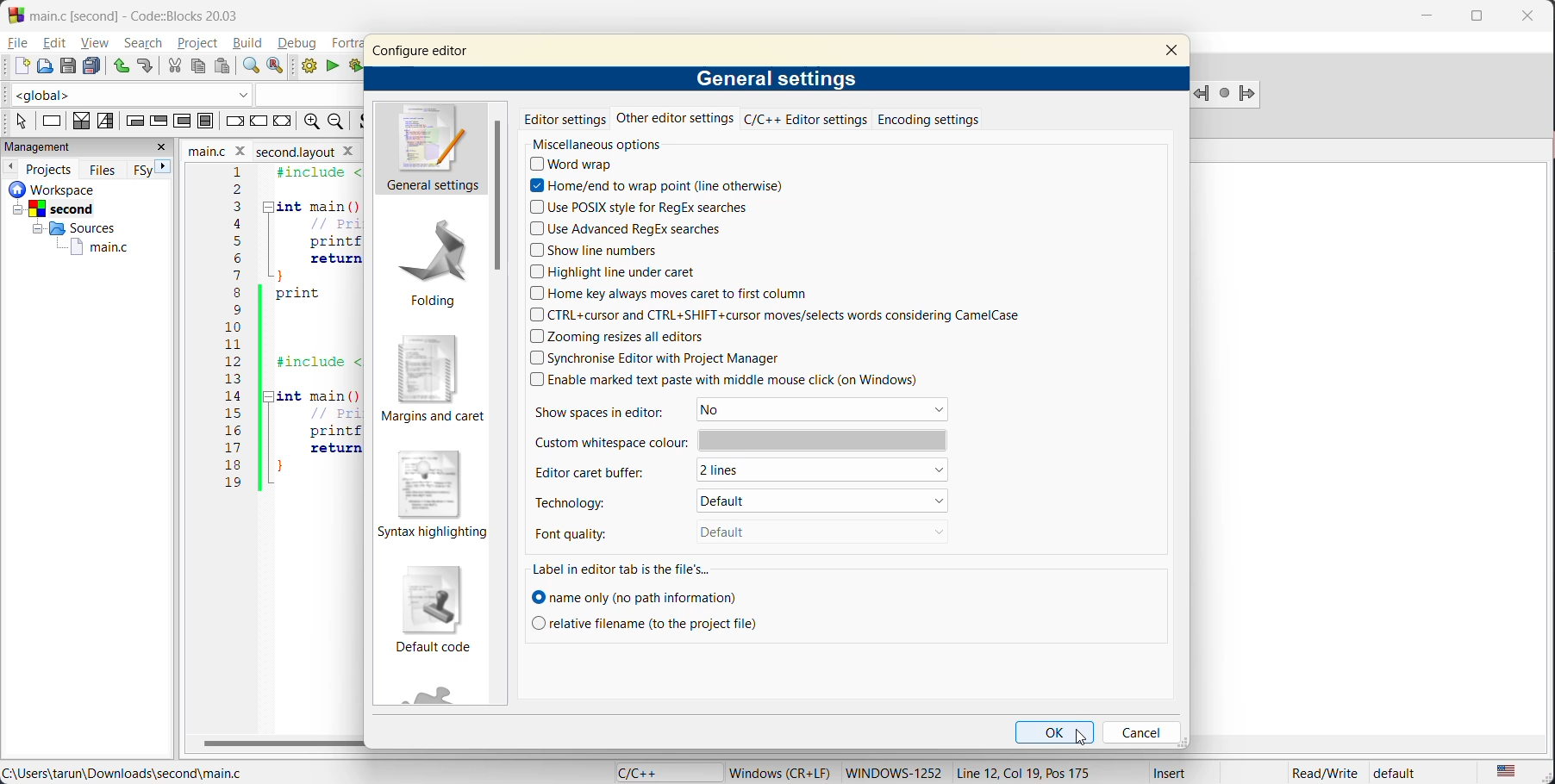 The image size is (1555, 784). Describe the element at coordinates (420, 52) in the screenshot. I see `configure editor` at that location.